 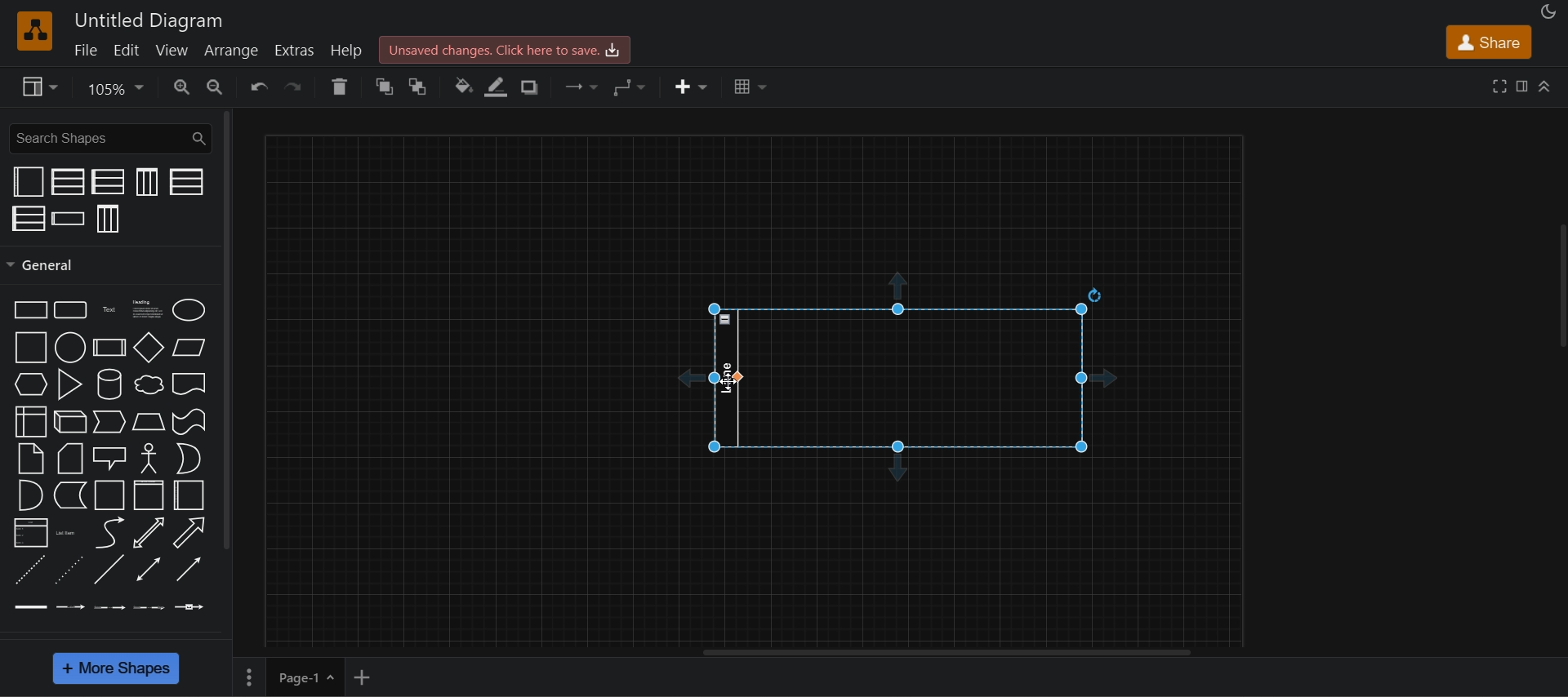 What do you see at coordinates (109, 459) in the screenshot?
I see `callout` at bounding box center [109, 459].